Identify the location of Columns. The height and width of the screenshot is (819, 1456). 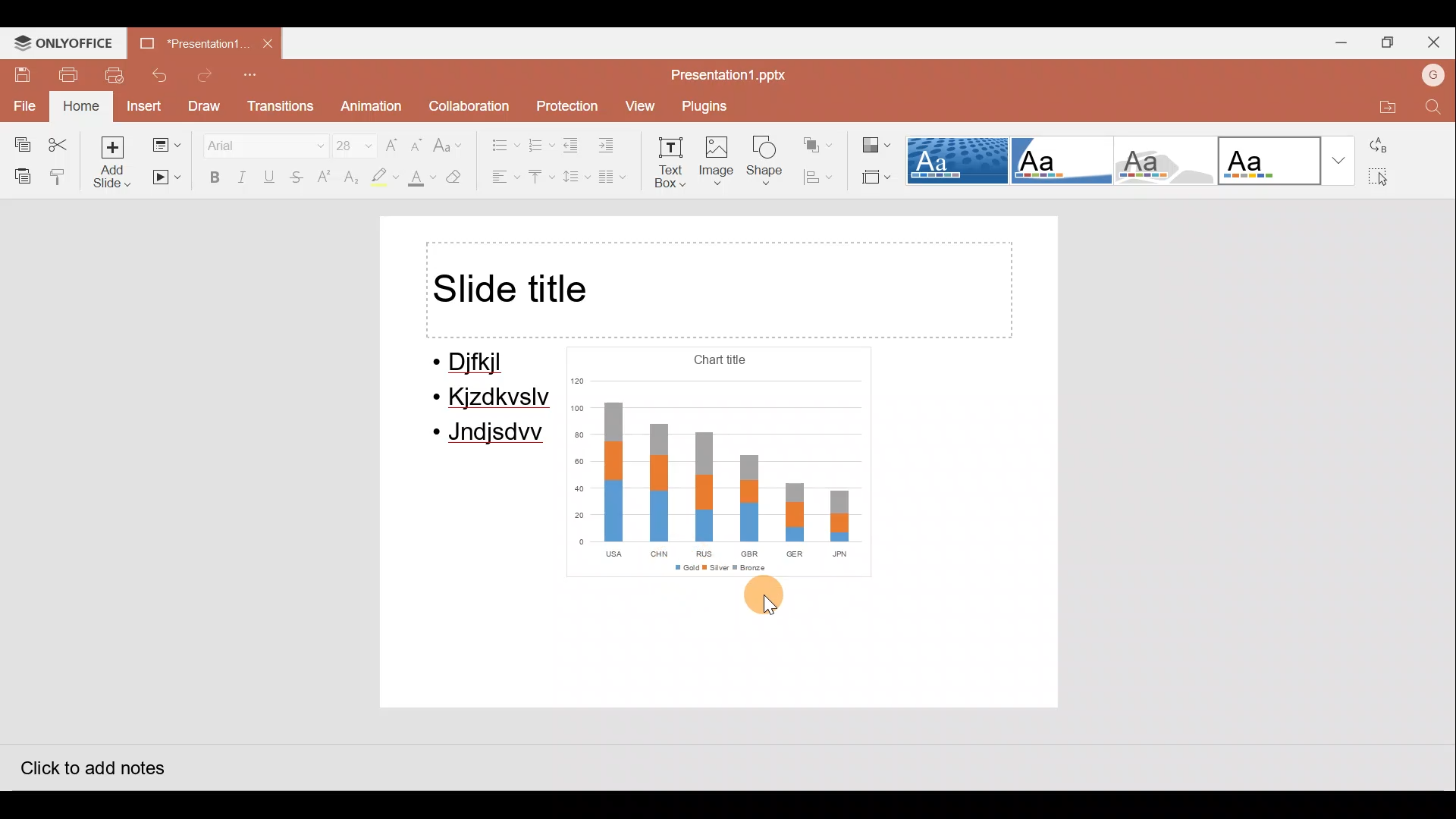
(618, 180).